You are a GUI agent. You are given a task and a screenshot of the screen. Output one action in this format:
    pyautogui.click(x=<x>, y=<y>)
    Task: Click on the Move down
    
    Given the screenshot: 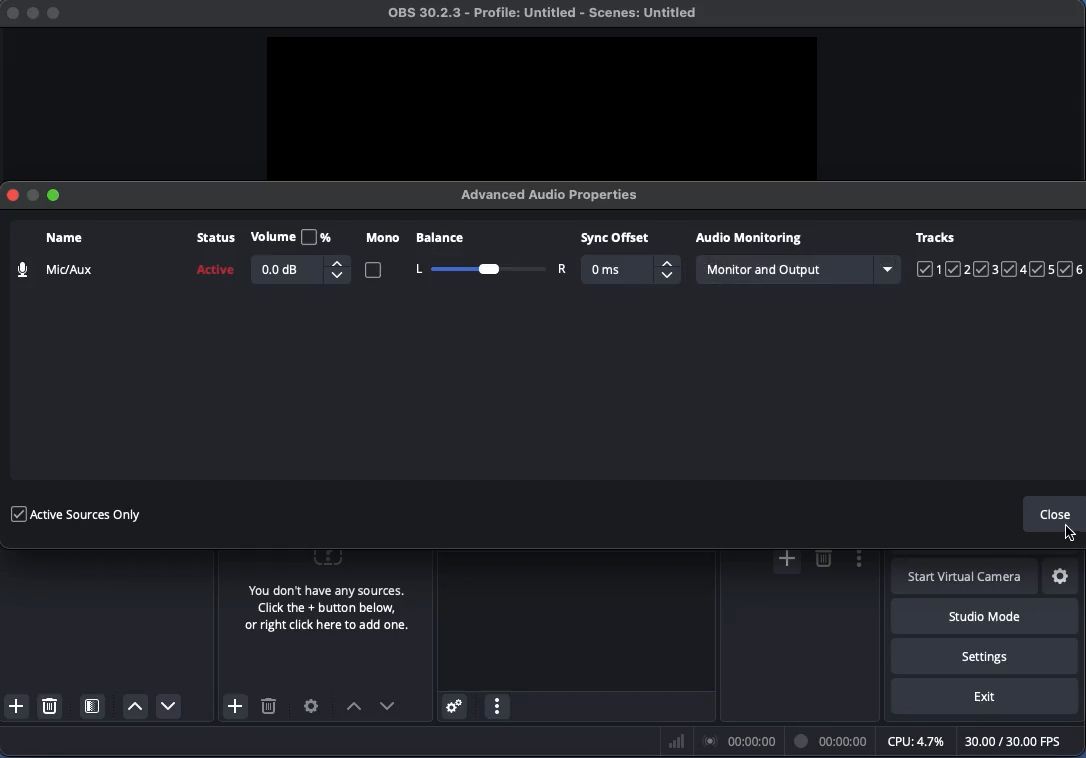 What is the action you would take?
    pyautogui.click(x=167, y=705)
    